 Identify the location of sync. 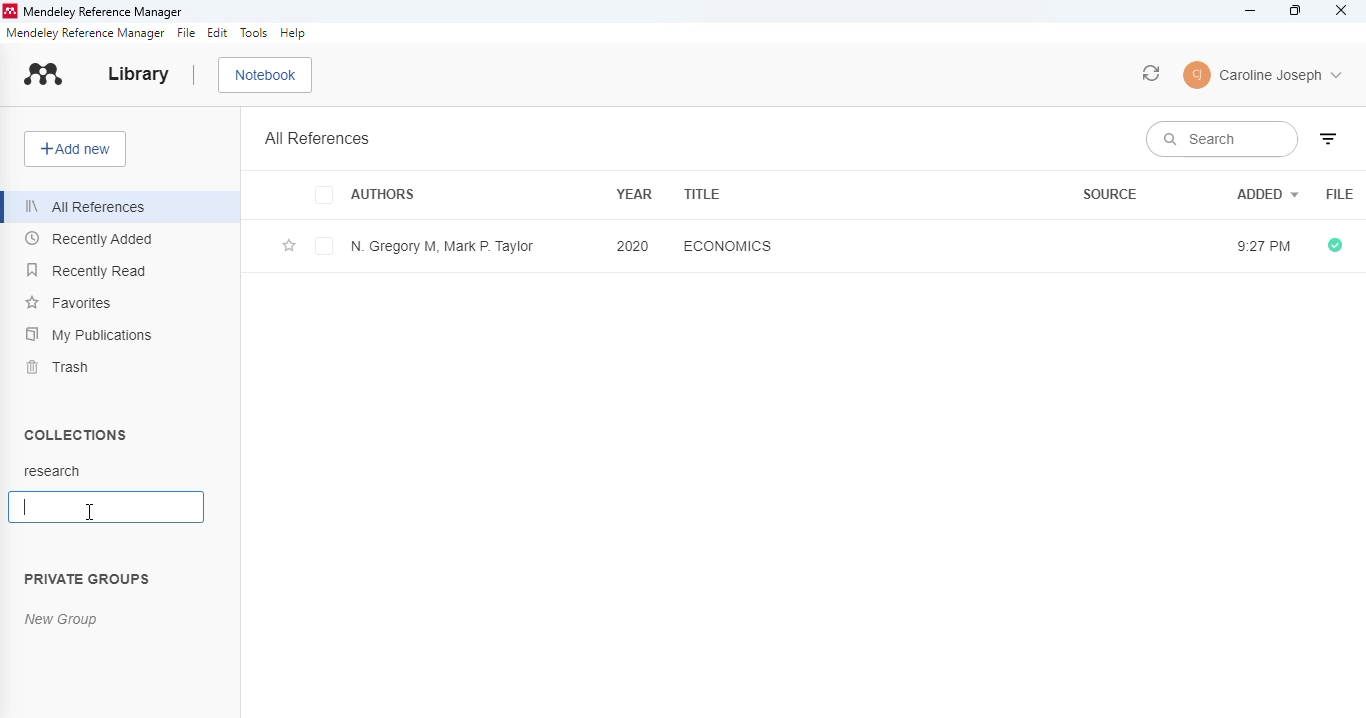
(1152, 73).